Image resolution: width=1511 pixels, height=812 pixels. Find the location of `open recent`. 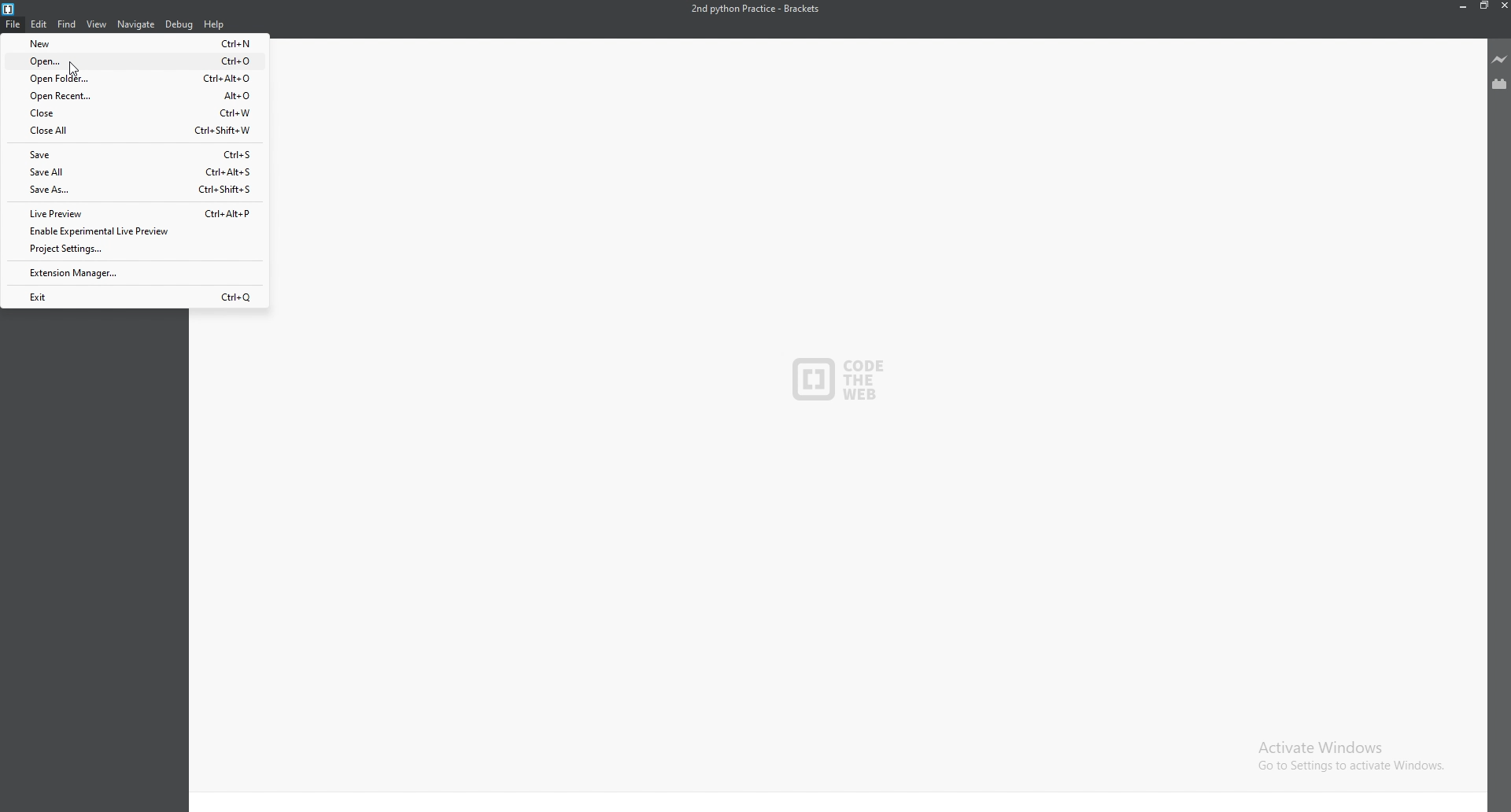

open recent is located at coordinates (133, 94).